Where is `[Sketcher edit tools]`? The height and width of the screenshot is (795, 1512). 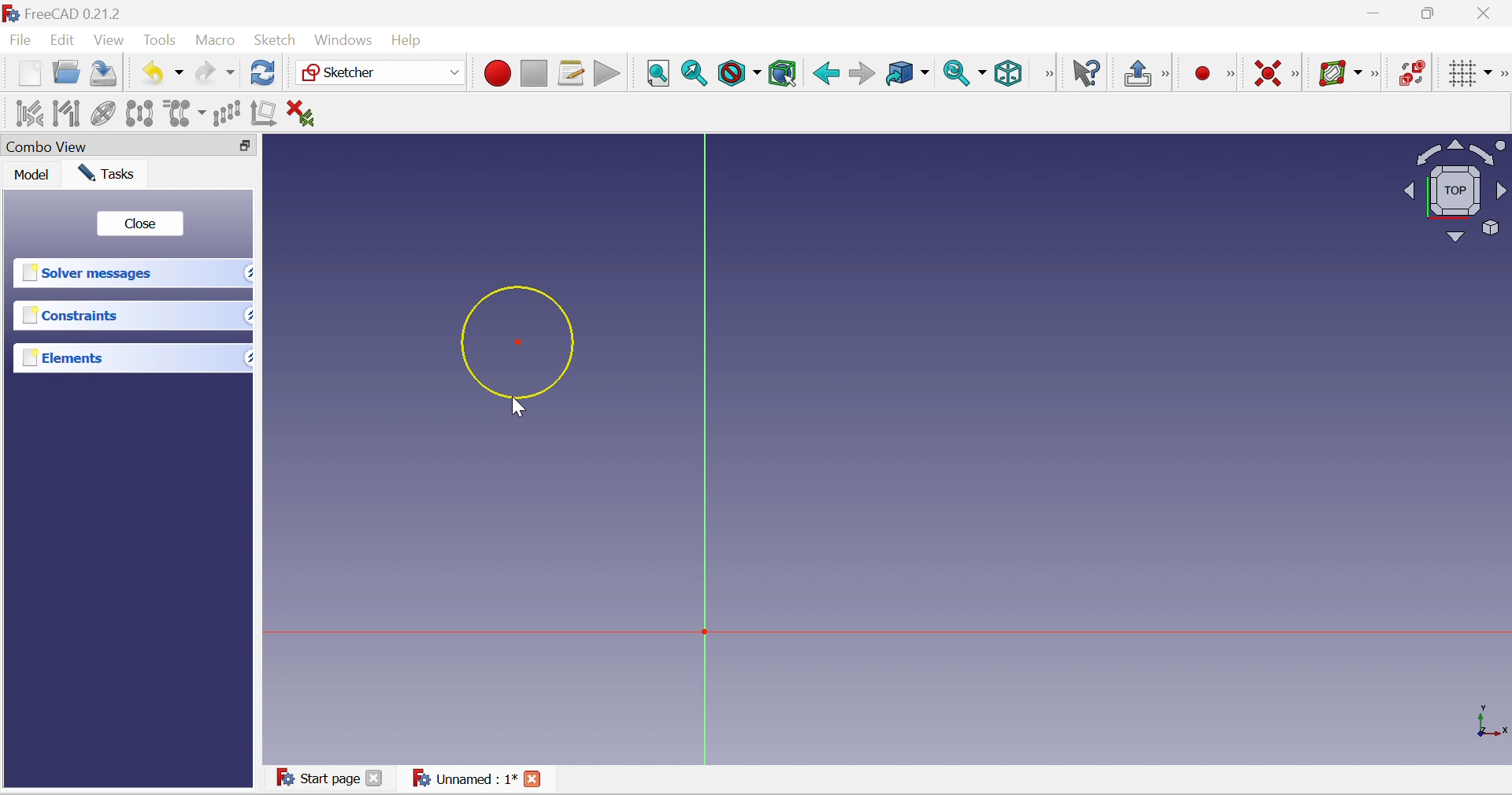 [Sketcher edit tools] is located at coordinates (1503, 74).